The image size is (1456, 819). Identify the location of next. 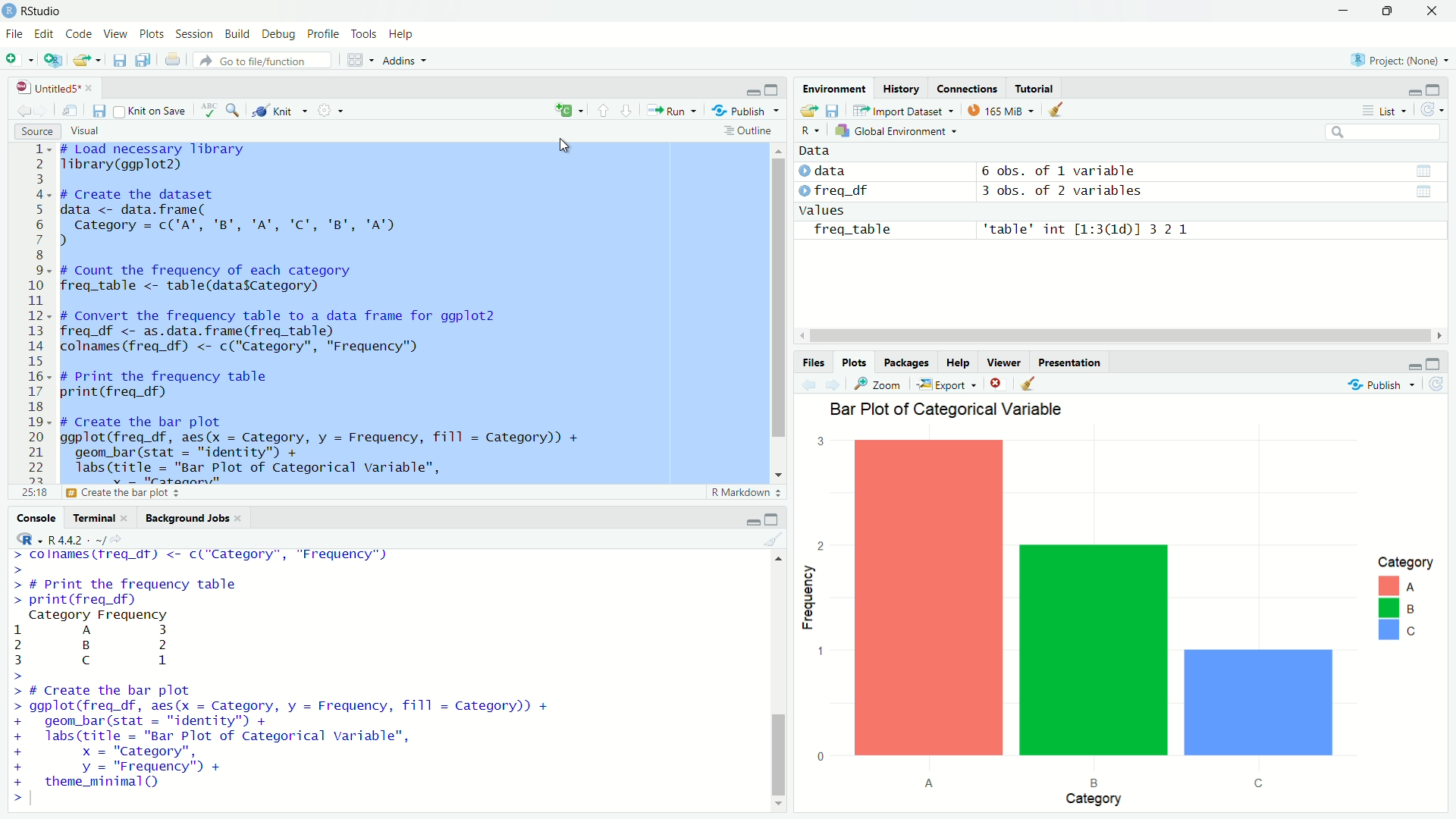
(838, 385).